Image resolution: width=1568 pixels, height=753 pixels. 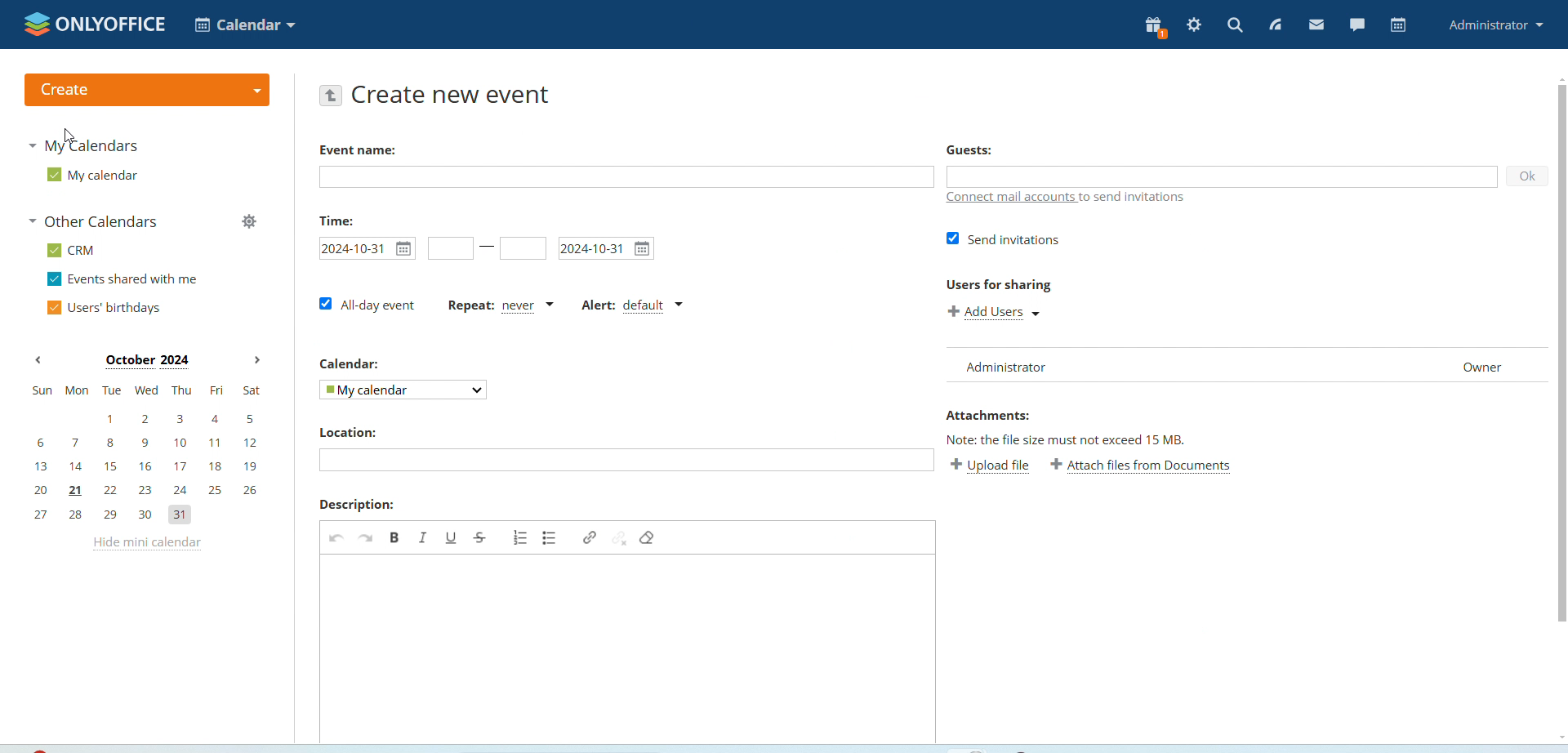 What do you see at coordinates (421, 538) in the screenshot?
I see `italic` at bounding box center [421, 538].